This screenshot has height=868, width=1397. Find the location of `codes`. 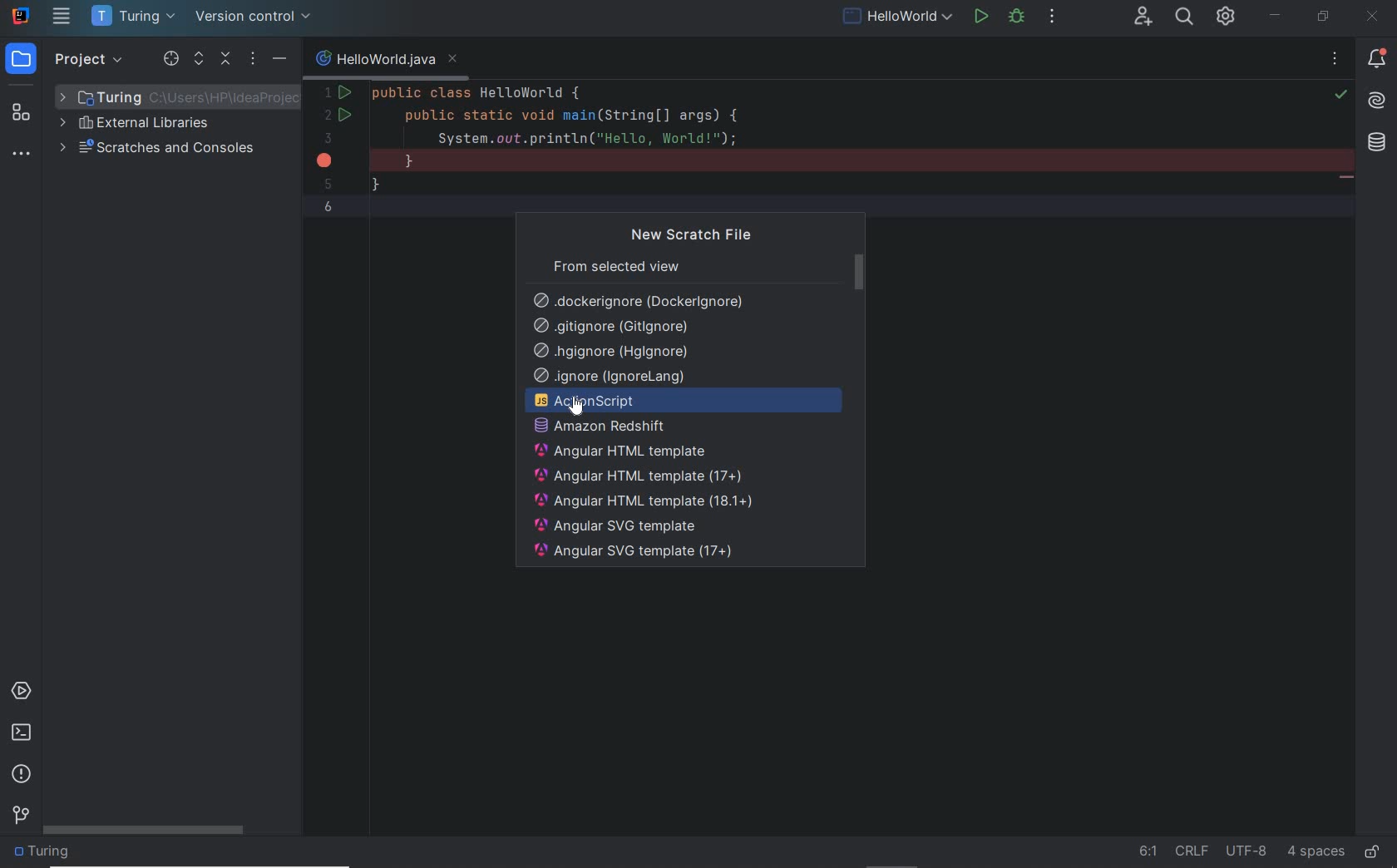

codes is located at coordinates (823, 144).